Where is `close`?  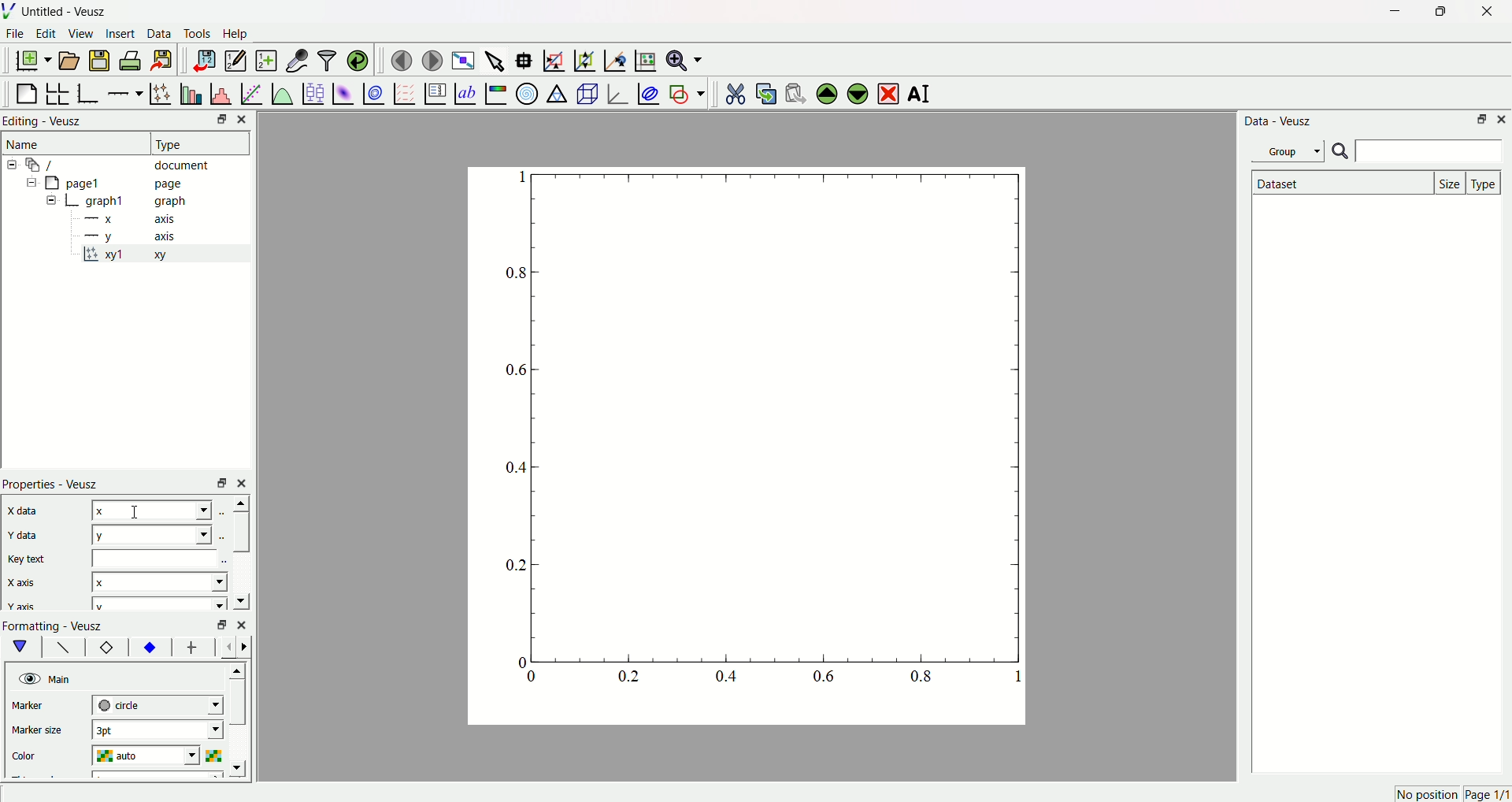 close is located at coordinates (244, 482).